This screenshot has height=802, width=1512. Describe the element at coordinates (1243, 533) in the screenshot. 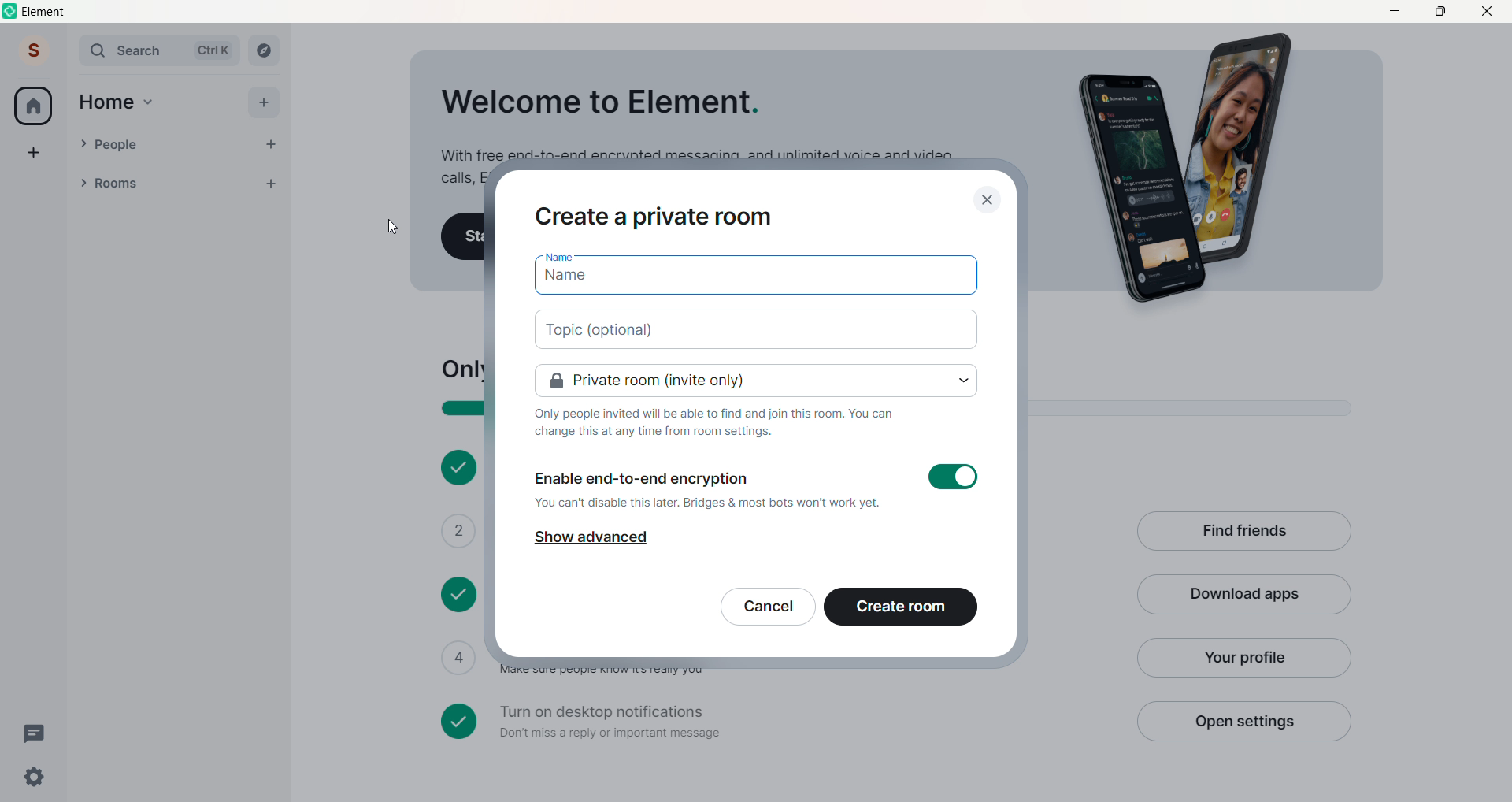

I see `Find Friends` at that location.